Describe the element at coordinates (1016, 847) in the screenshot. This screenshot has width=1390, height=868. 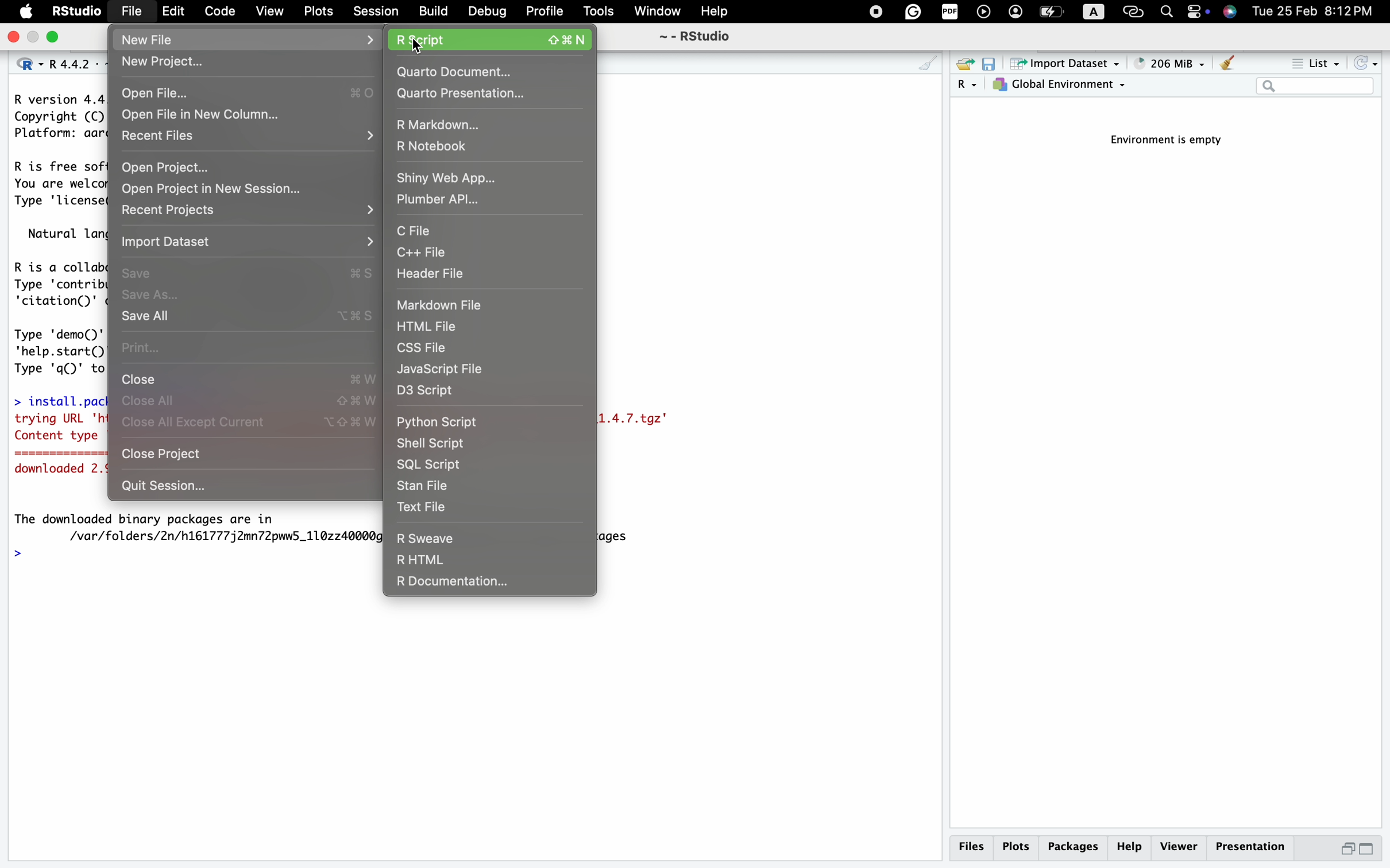
I see `plots` at that location.